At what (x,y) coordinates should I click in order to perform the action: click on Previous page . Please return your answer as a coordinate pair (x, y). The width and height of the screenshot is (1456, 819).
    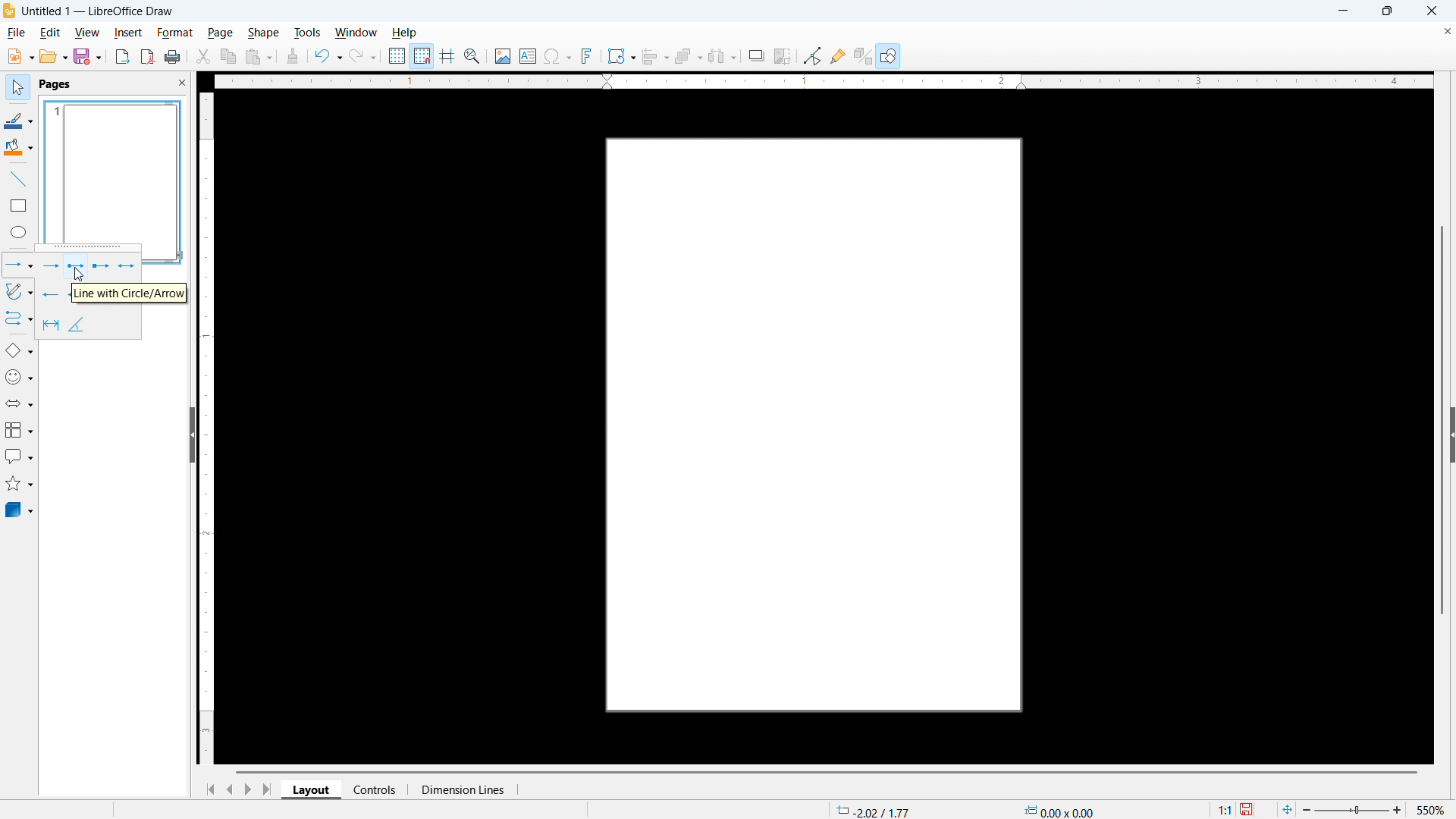
    Looking at the image, I should click on (229, 789).